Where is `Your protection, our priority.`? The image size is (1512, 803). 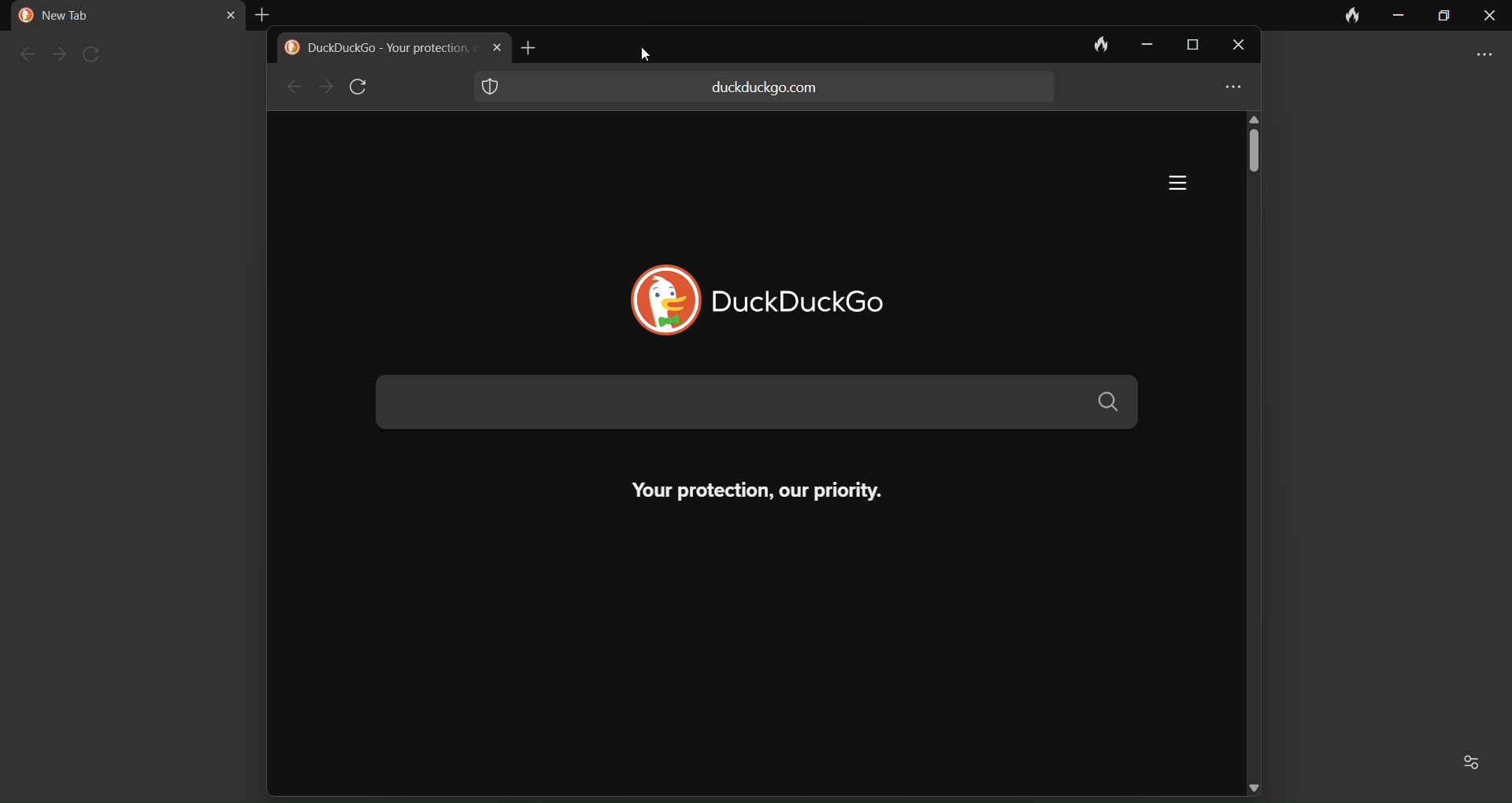 Your protection, our priority. is located at coordinates (735, 490).